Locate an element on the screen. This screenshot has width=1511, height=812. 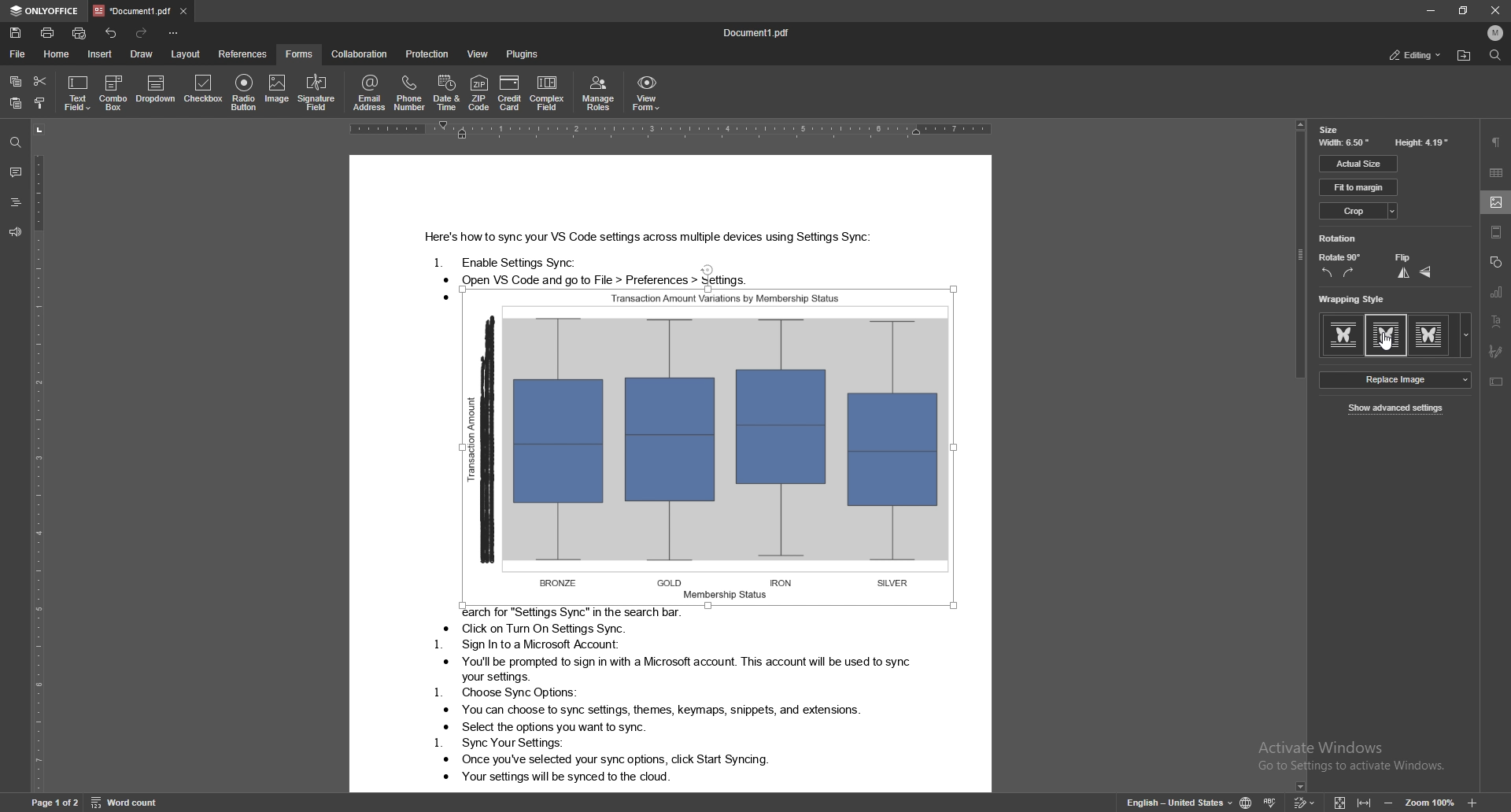
headings is located at coordinates (14, 203).